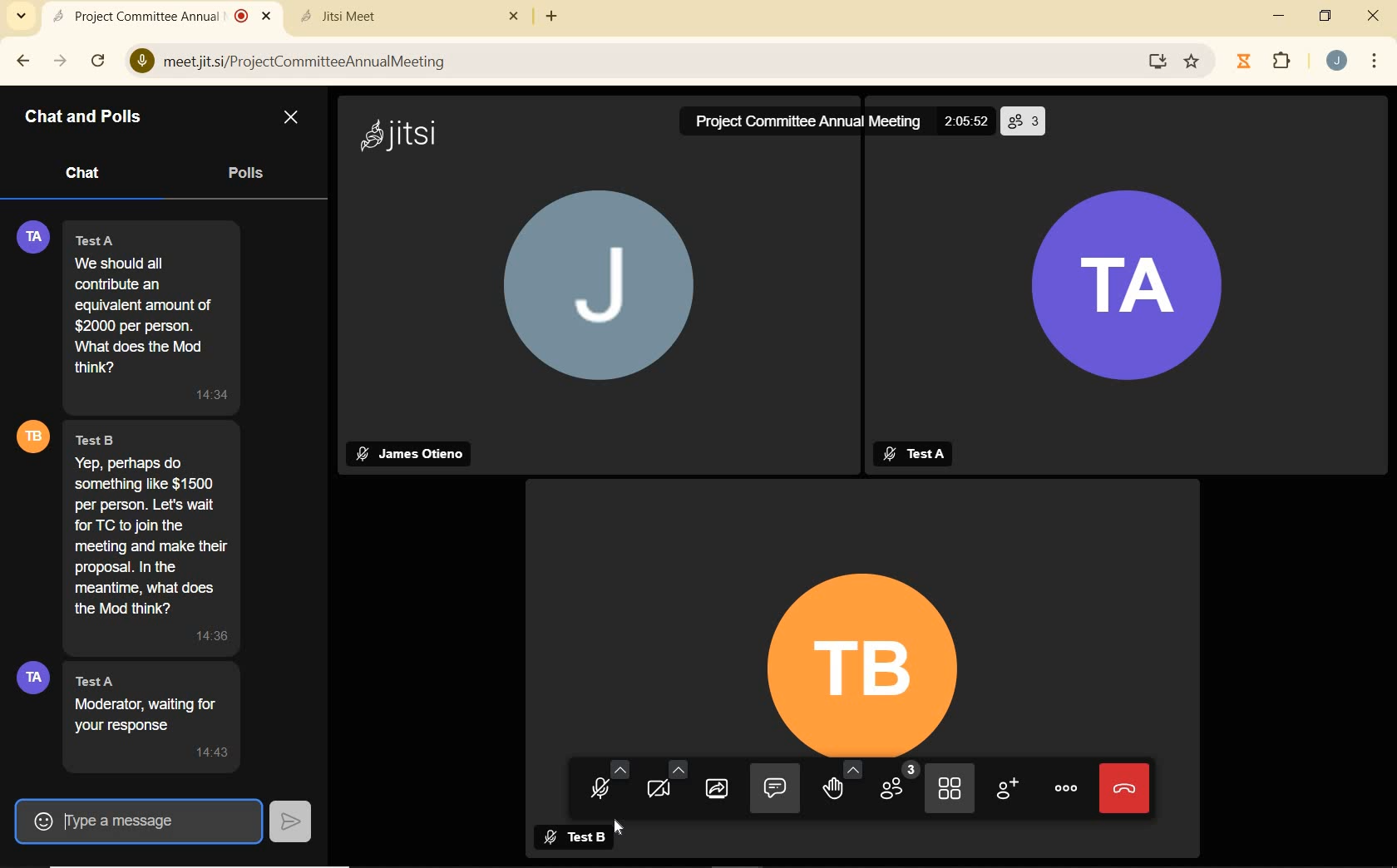  Describe the element at coordinates (720, 787) in the screenshot. I see `start screen sharing` at that location.